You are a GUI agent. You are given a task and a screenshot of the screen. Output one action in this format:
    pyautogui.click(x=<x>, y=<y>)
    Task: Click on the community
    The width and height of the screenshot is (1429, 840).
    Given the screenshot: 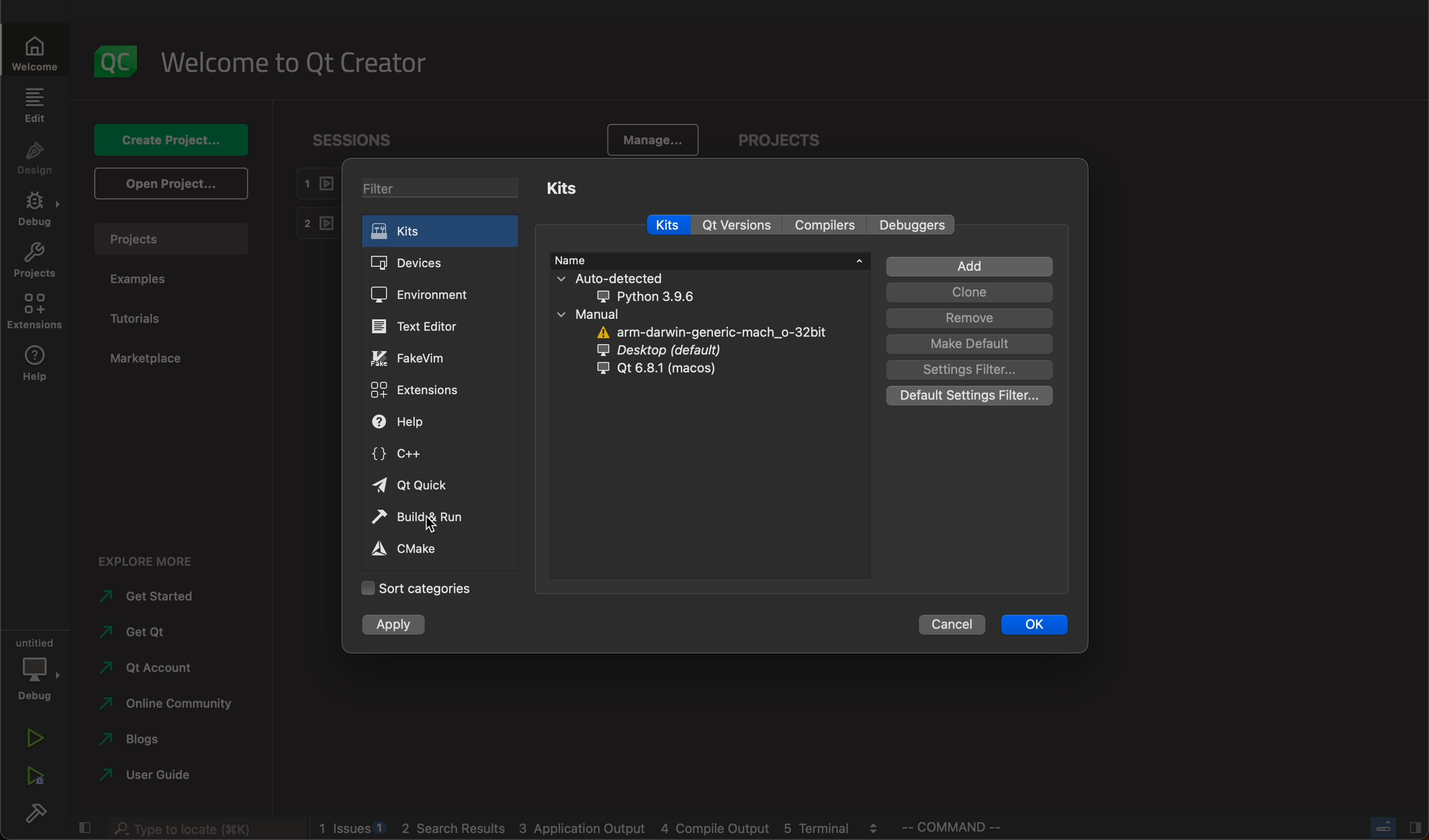 What is the action you would take?
    pyautogui.click(x=162, y=706)
    